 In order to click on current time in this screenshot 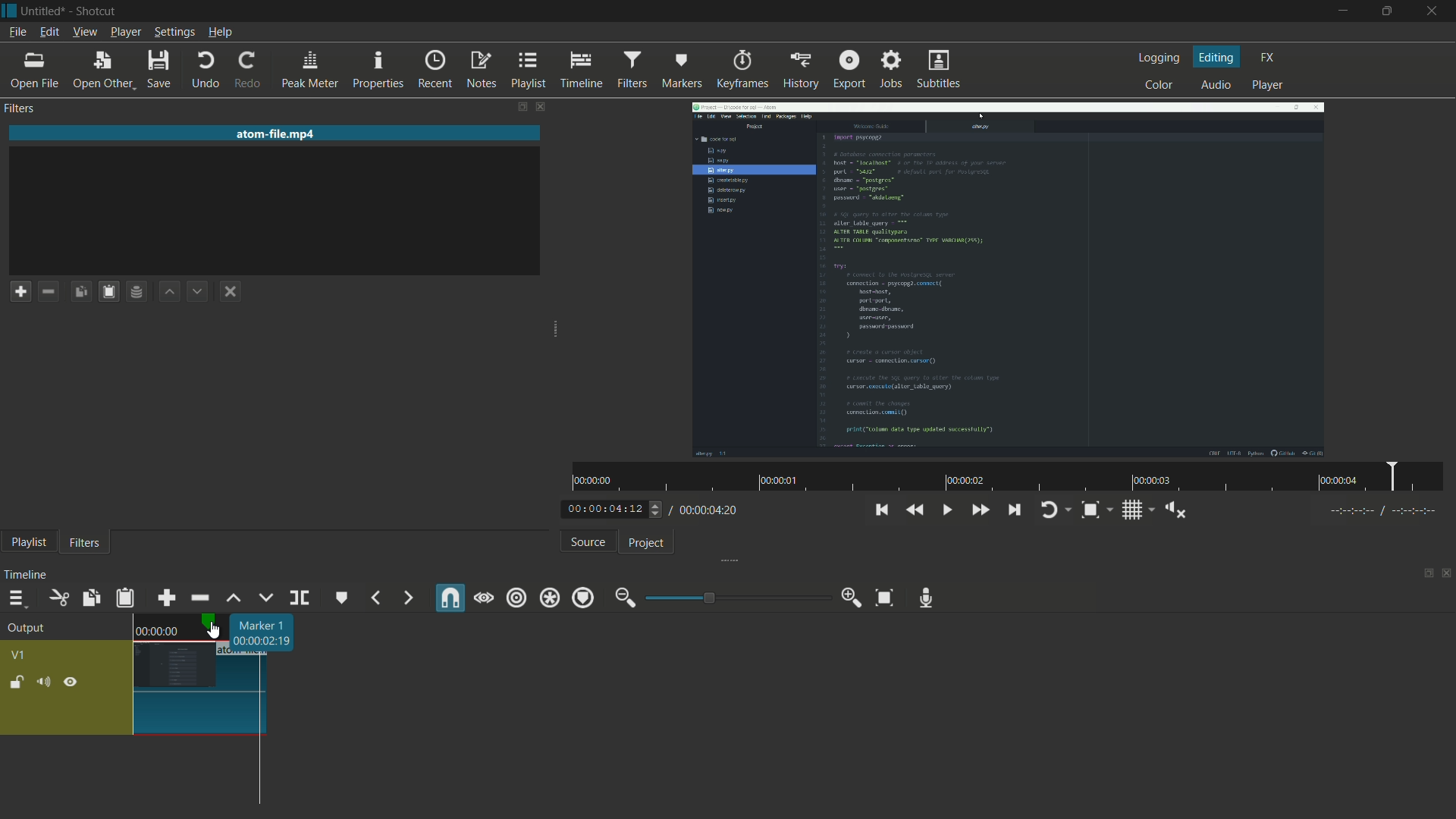, I will do `click(604, 510)`.